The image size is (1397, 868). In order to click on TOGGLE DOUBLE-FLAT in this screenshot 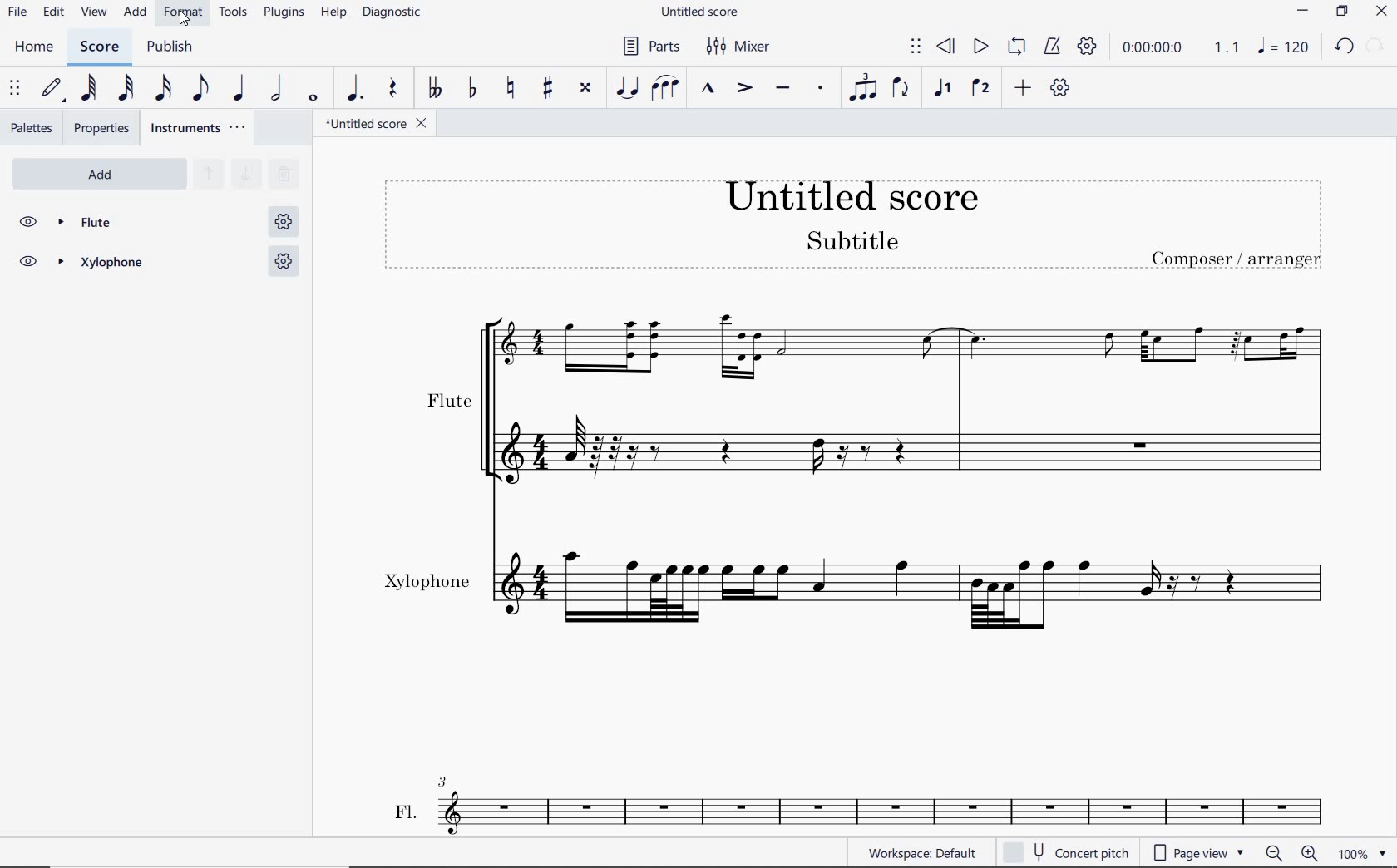, I will do `click(432, 87)`.